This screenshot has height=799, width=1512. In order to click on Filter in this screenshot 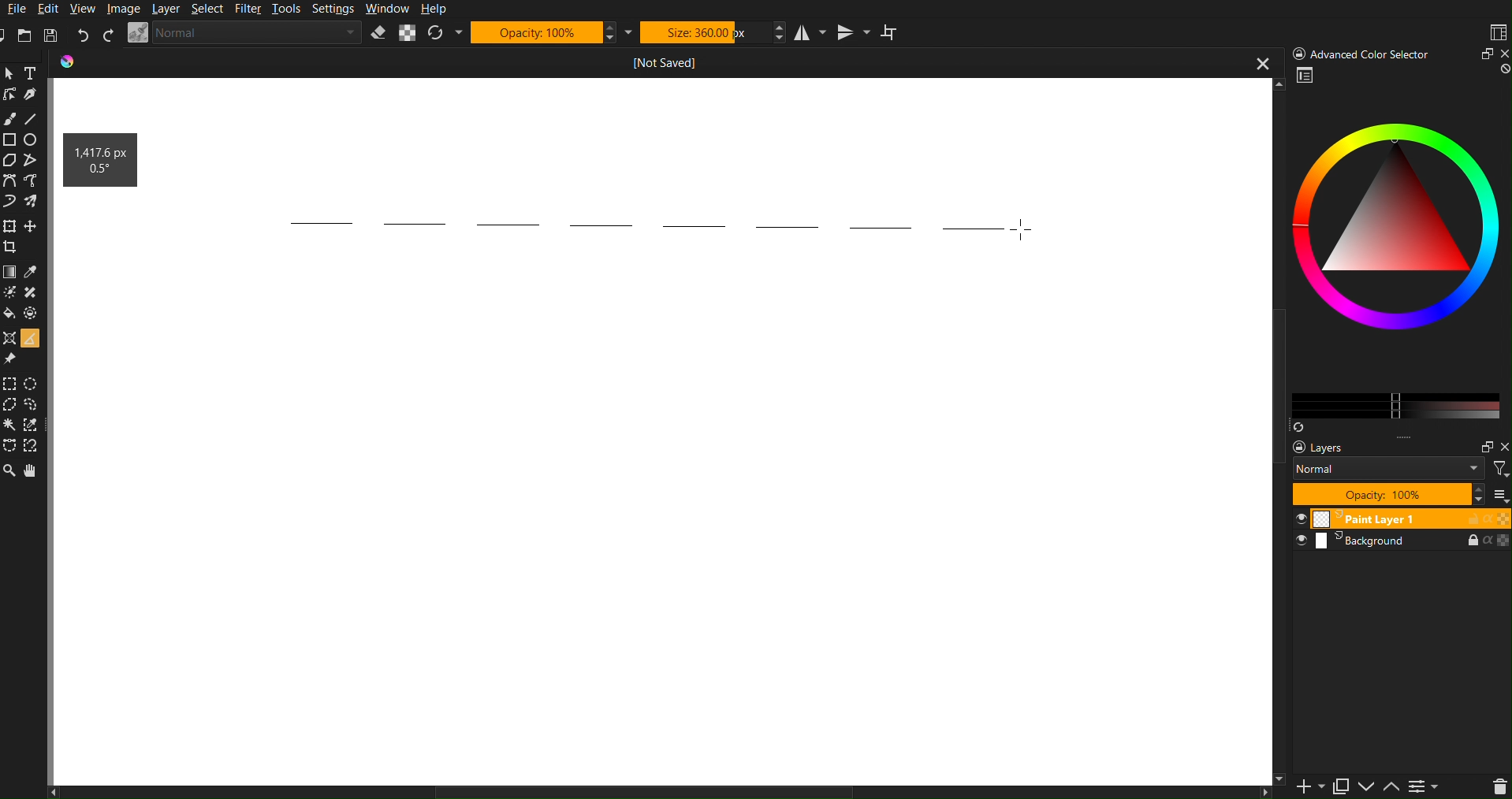, I will do `click(251, 9)`.